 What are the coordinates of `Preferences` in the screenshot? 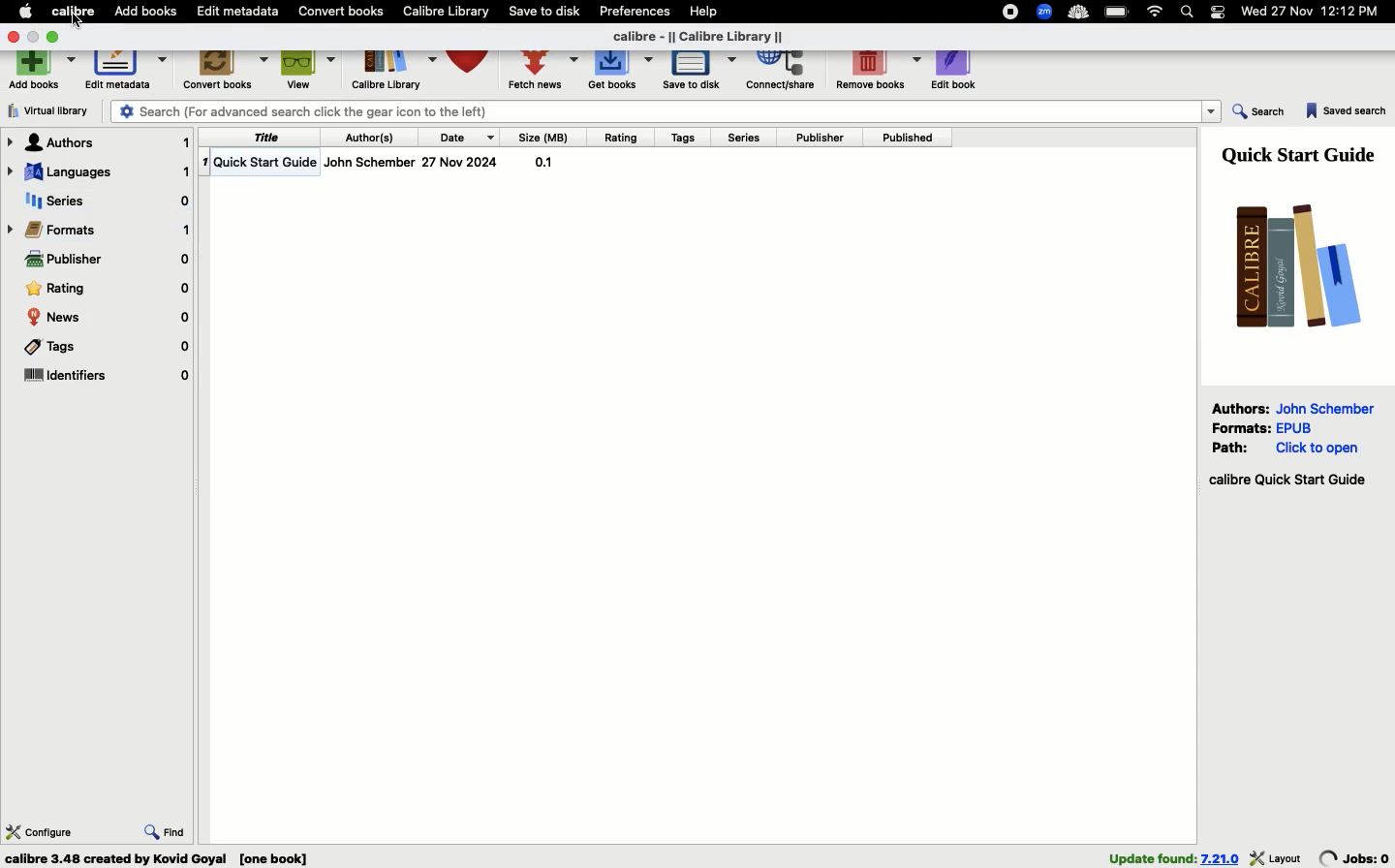 It's located at (636, 10).